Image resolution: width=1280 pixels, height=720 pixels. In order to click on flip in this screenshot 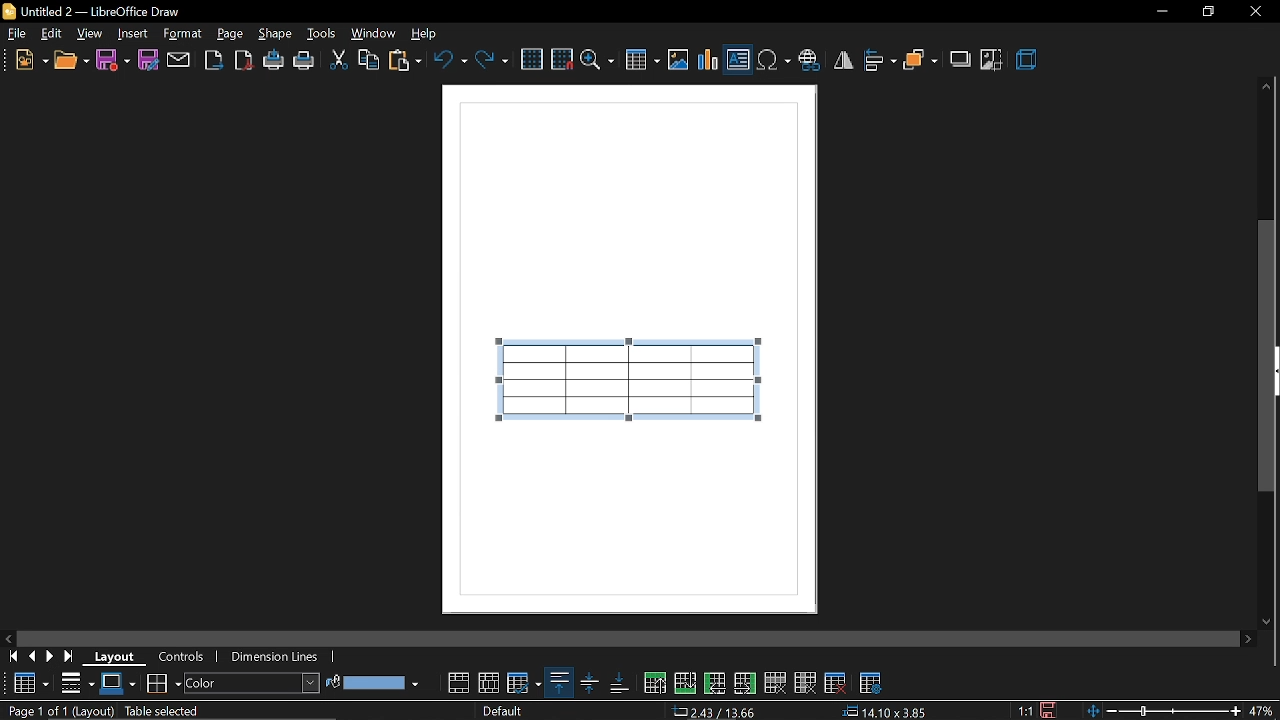, I will do `click(842, 58)`.